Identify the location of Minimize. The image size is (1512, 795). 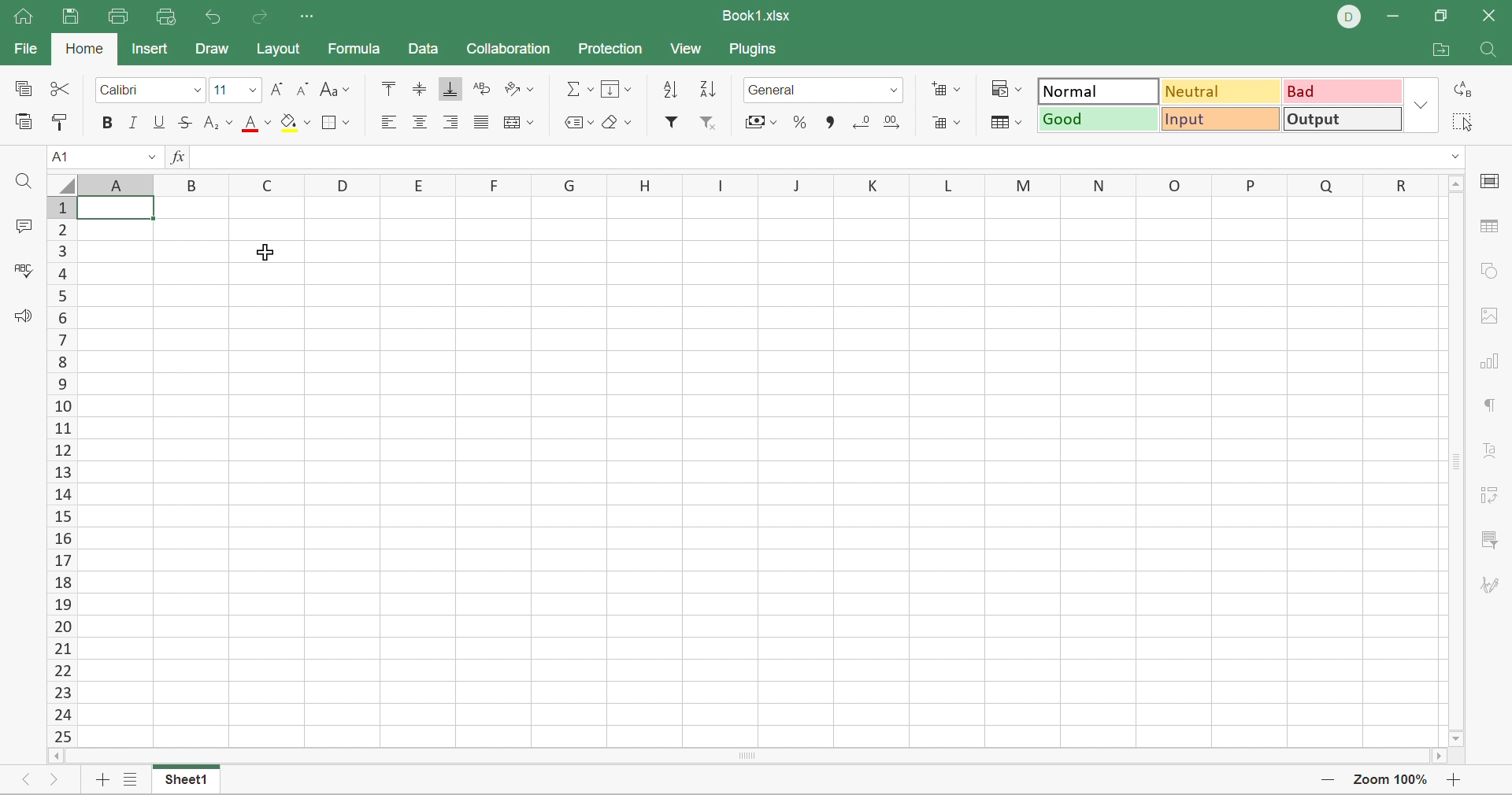
(1393, 15).